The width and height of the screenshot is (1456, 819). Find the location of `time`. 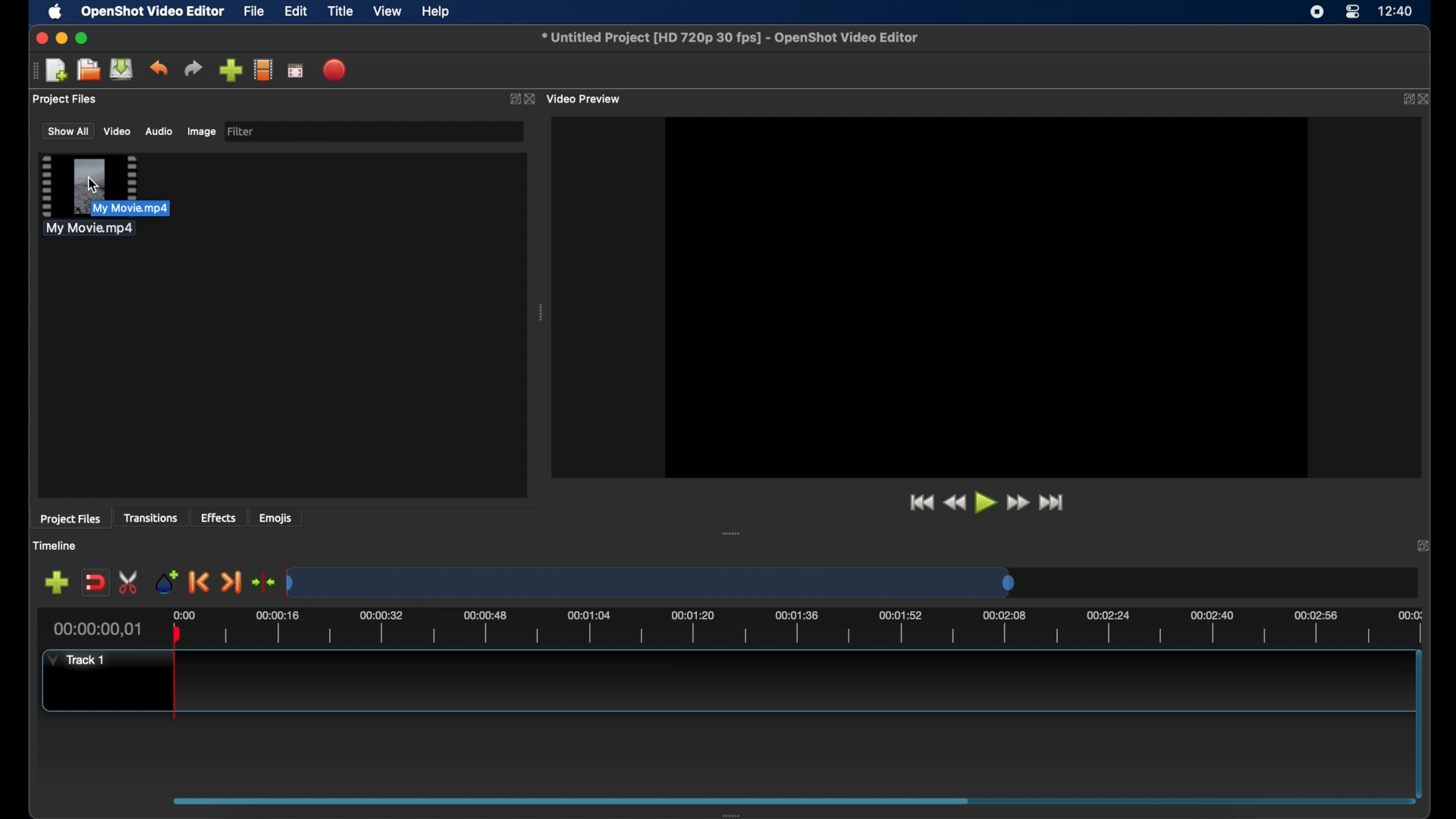

time is located at coordinates (1397, 12).